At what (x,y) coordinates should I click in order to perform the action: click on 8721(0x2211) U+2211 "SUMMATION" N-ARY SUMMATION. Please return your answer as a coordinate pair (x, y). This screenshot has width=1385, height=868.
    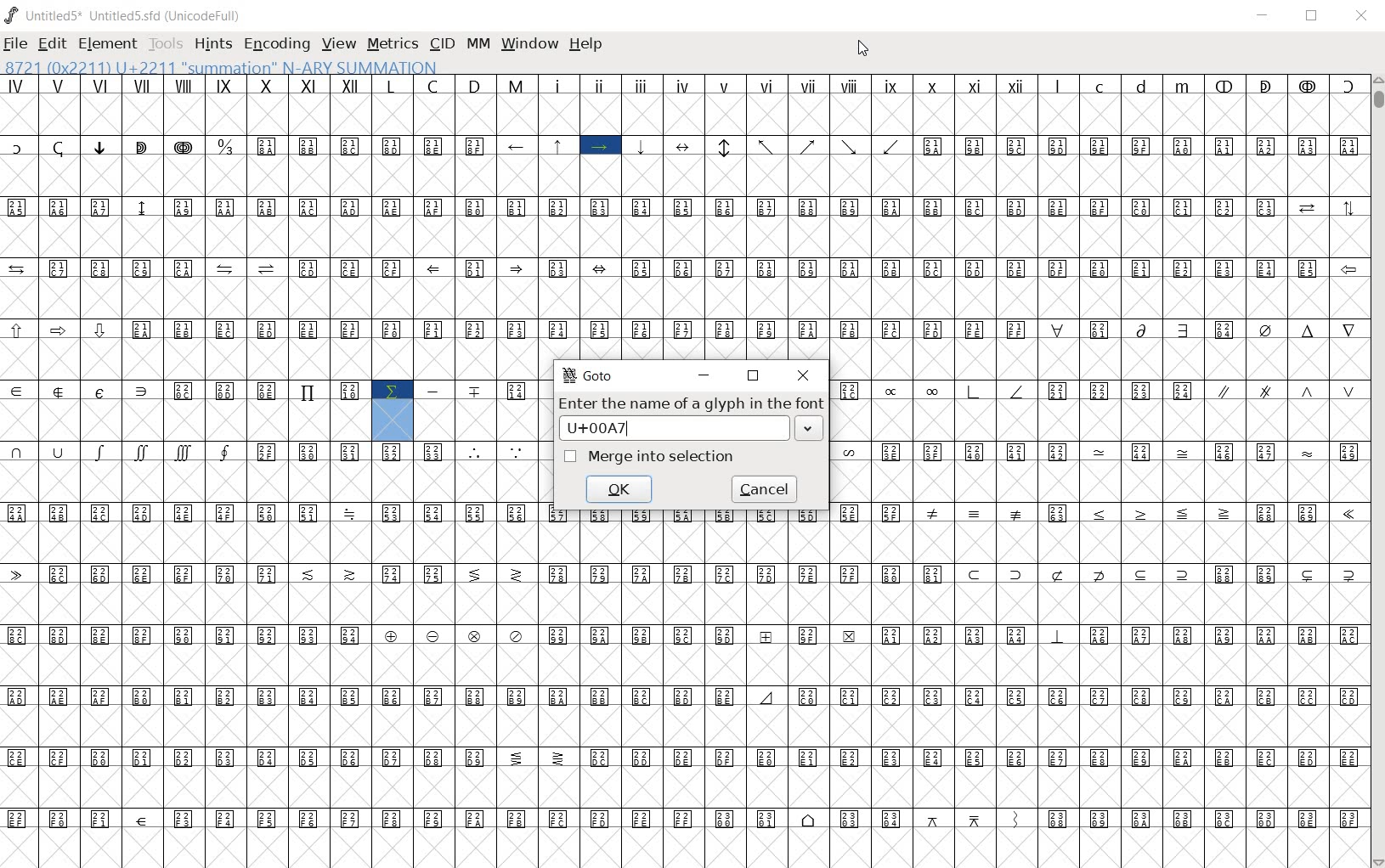
    Looking at the image, I should click on (225, 67).